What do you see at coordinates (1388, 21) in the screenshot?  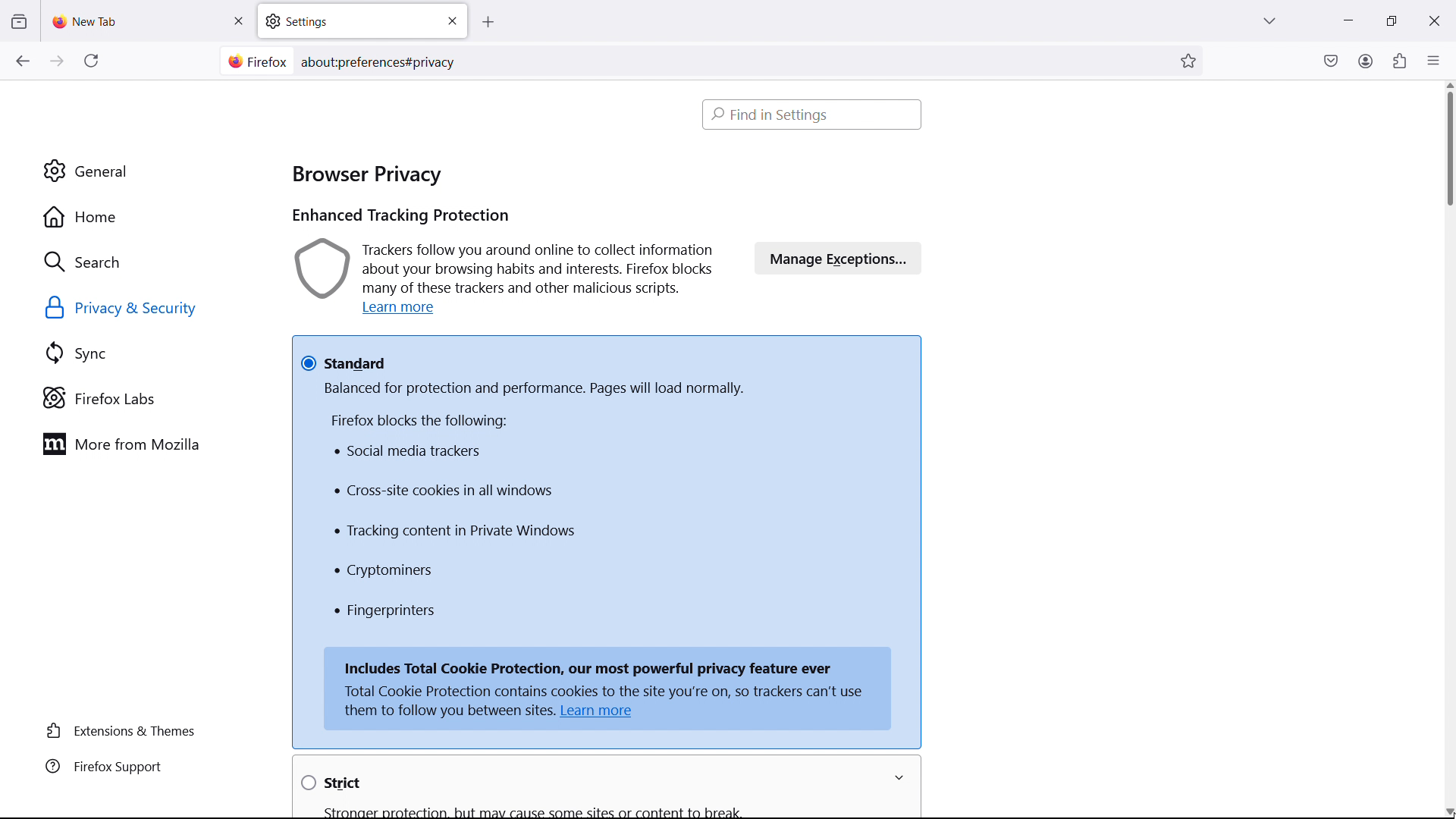 I see `maximize` at bounding box center [1388, 21].